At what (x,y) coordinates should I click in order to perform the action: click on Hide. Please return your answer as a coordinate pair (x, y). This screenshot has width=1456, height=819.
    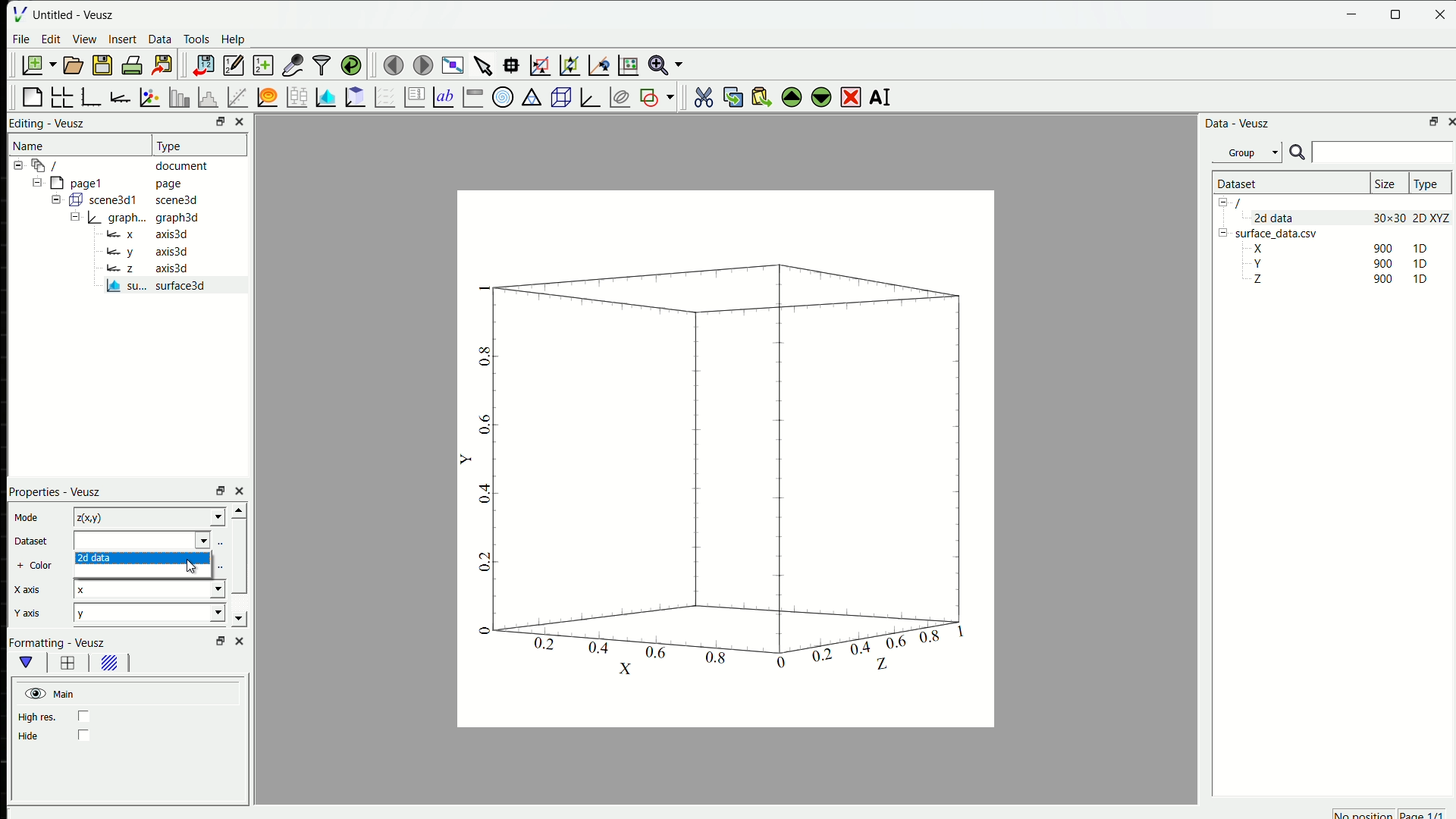
    Looking at the image, I should click on (30, 736).